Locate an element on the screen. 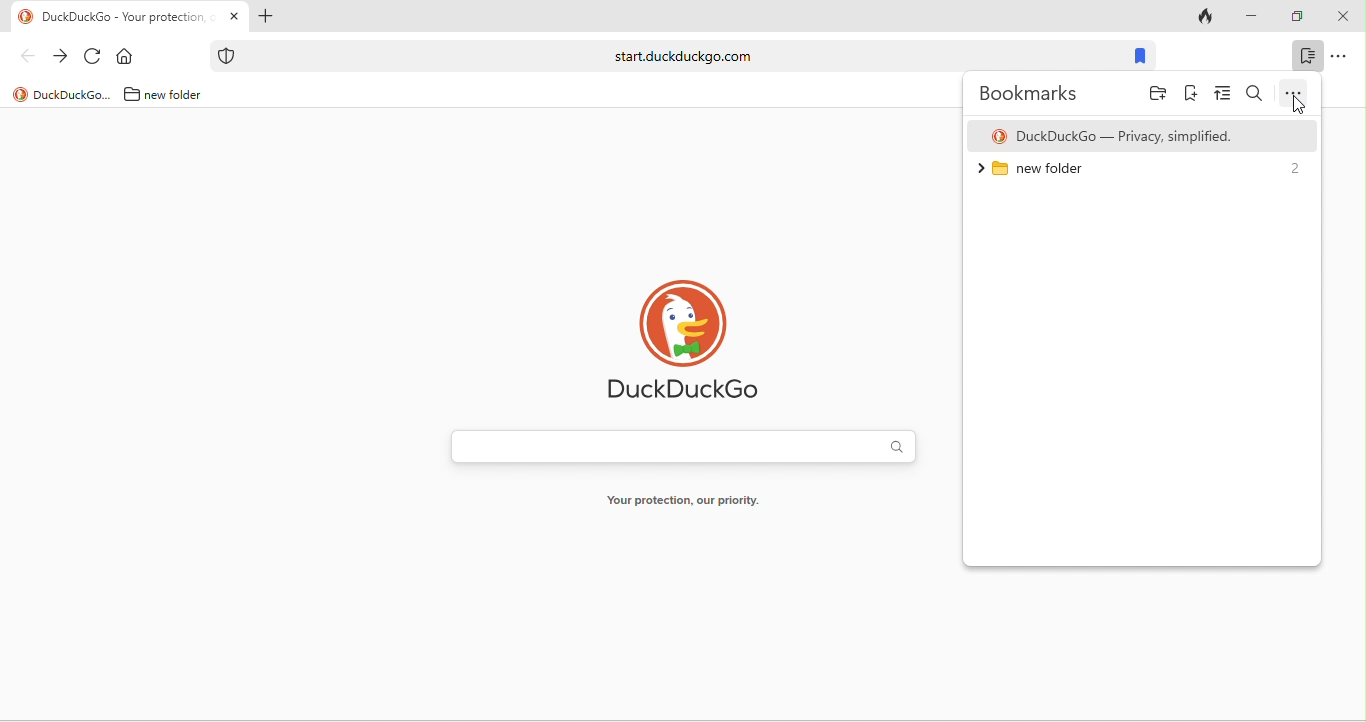  bookmarks is located at coordinates (1139, 57).